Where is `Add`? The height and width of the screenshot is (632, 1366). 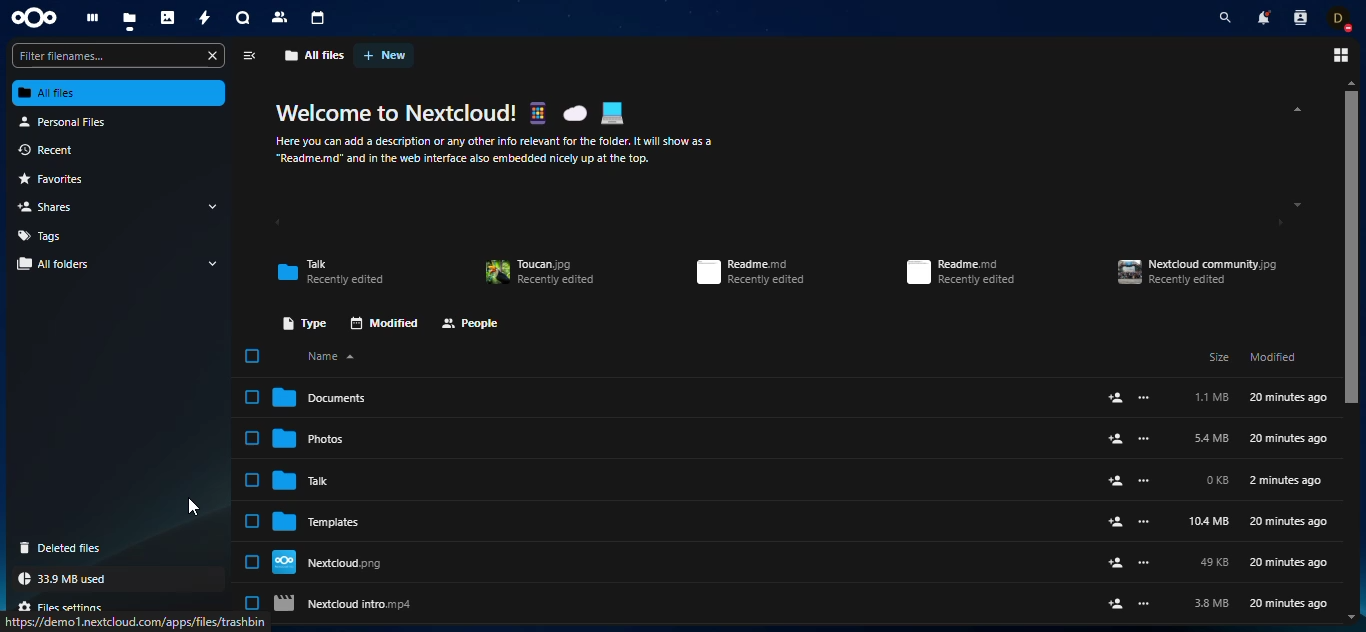
Add is located at coordinates (1129, 564).